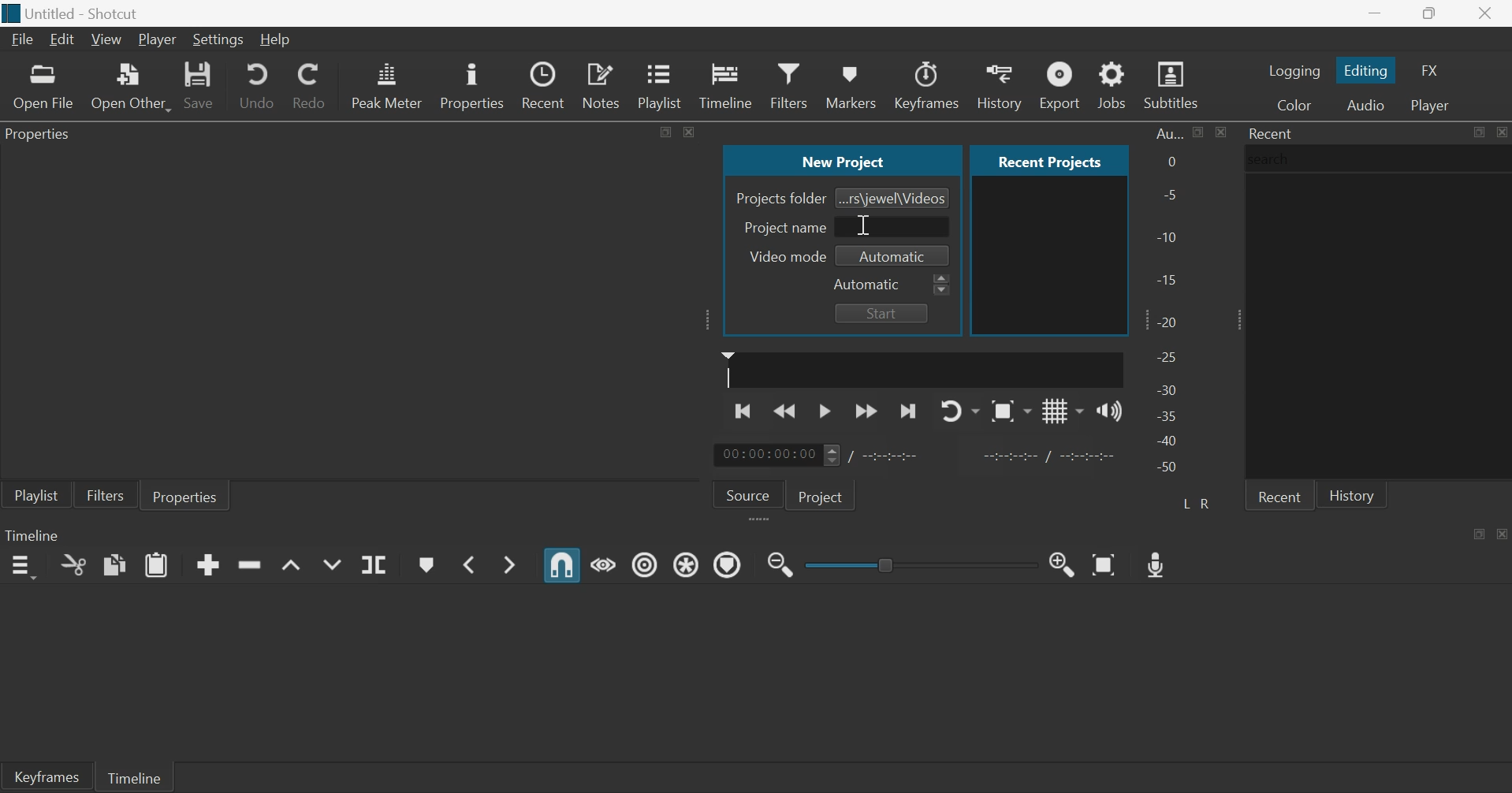 Image resolution: width=1512 pixels, height=793 pixels. What do you see at coordinates (1368, 70) in the screenshot?
I see `Switch to the Editing layout` at bounding box center [1368, 70].